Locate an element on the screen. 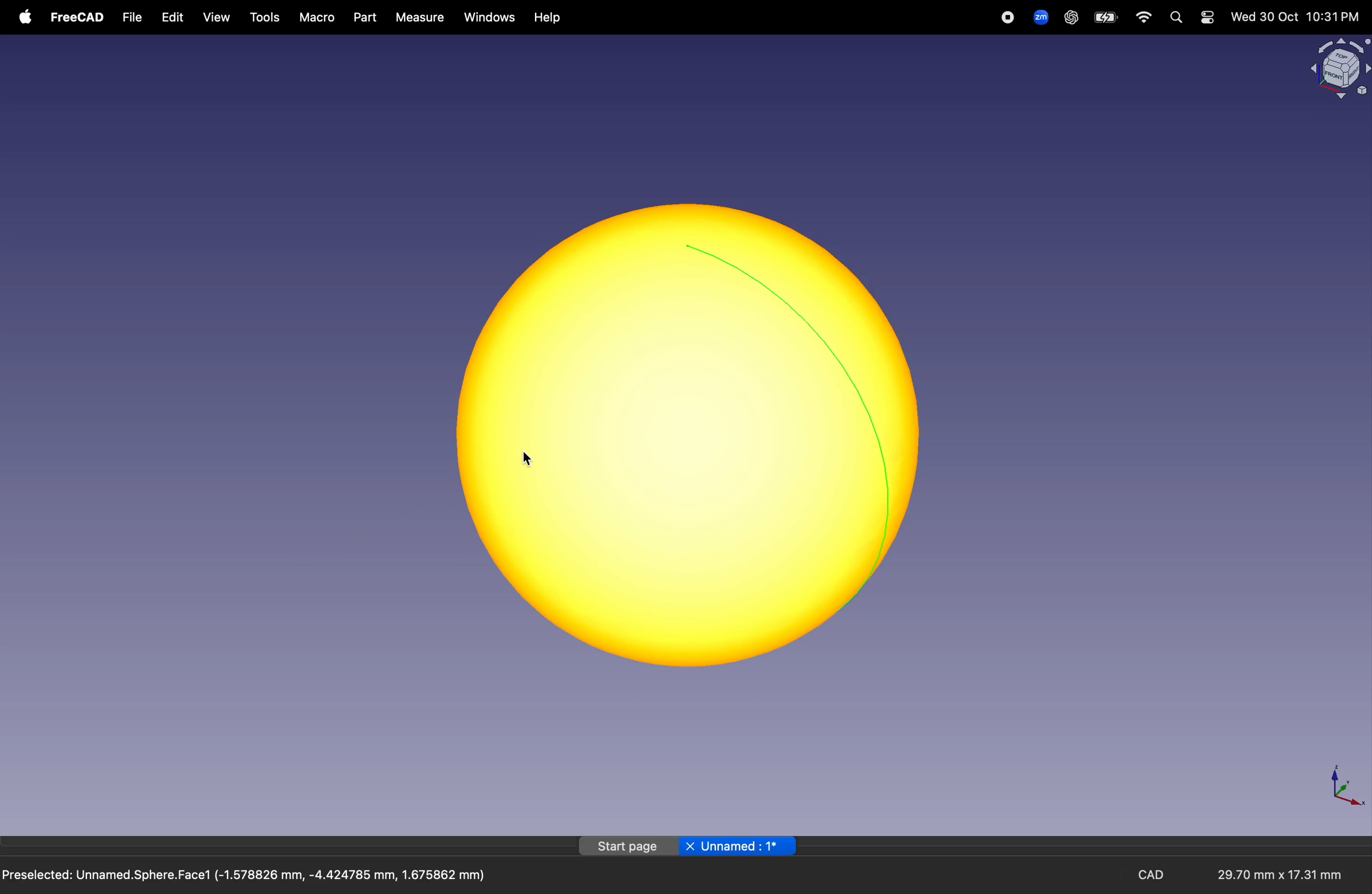 Image resolution: width=1372 pixels, height=894 pixels. measure is located at coordinates (418, 17).